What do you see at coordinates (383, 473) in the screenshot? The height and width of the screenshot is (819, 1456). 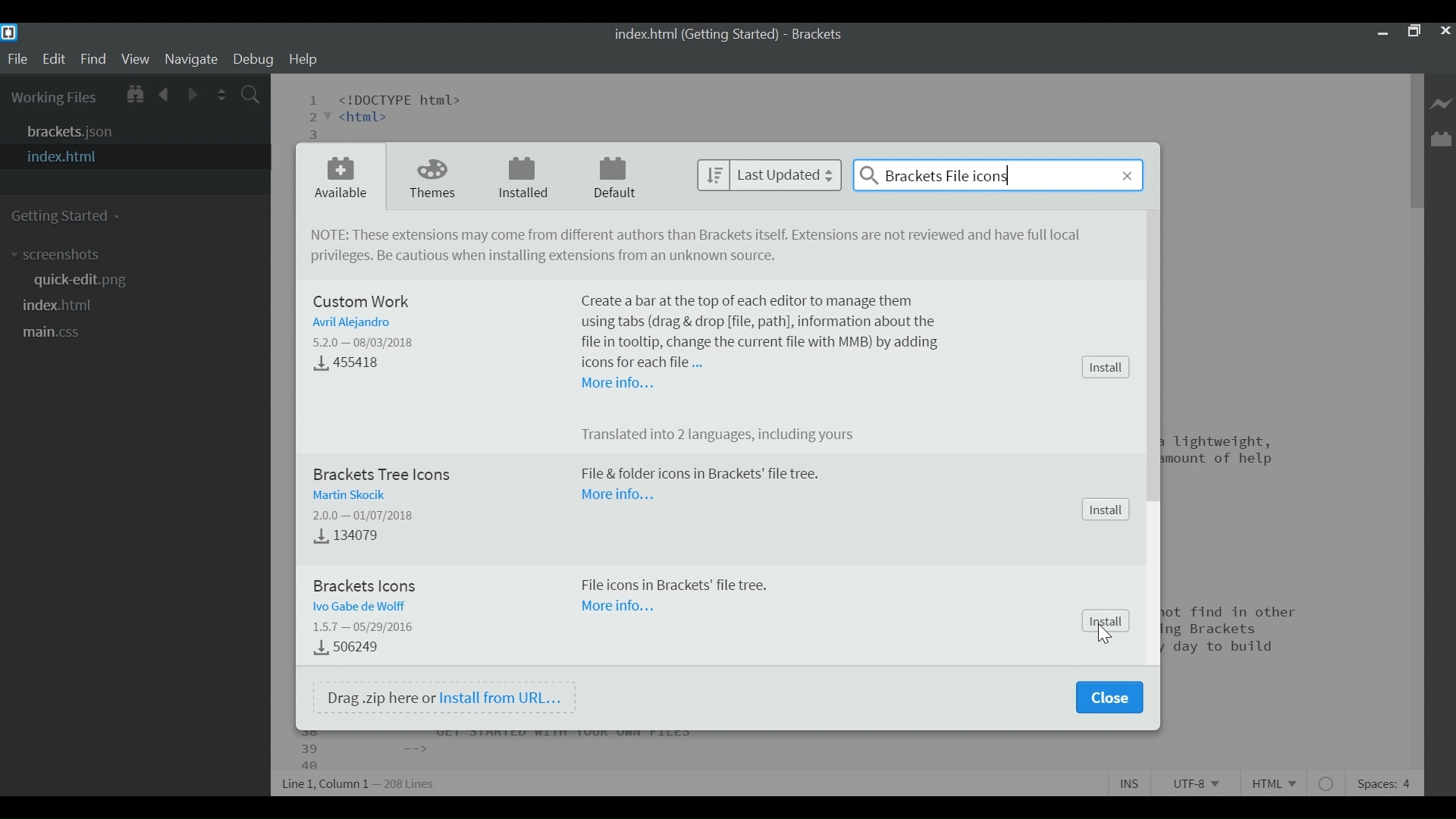 I see `Brackets Tree icons` at bounding box center [383, 473].